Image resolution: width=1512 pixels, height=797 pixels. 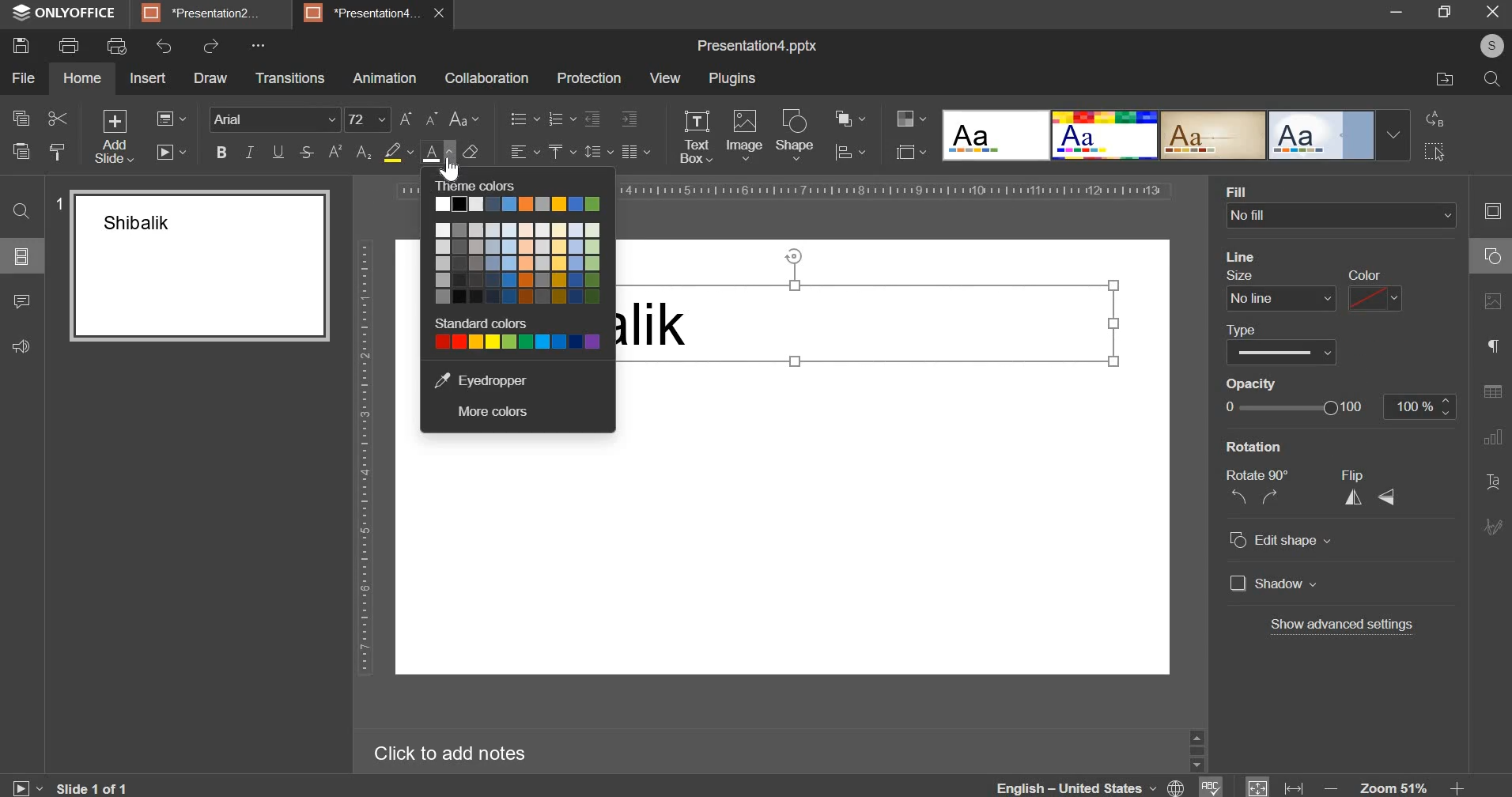 I want to click on print, so click(x=69, y=43).